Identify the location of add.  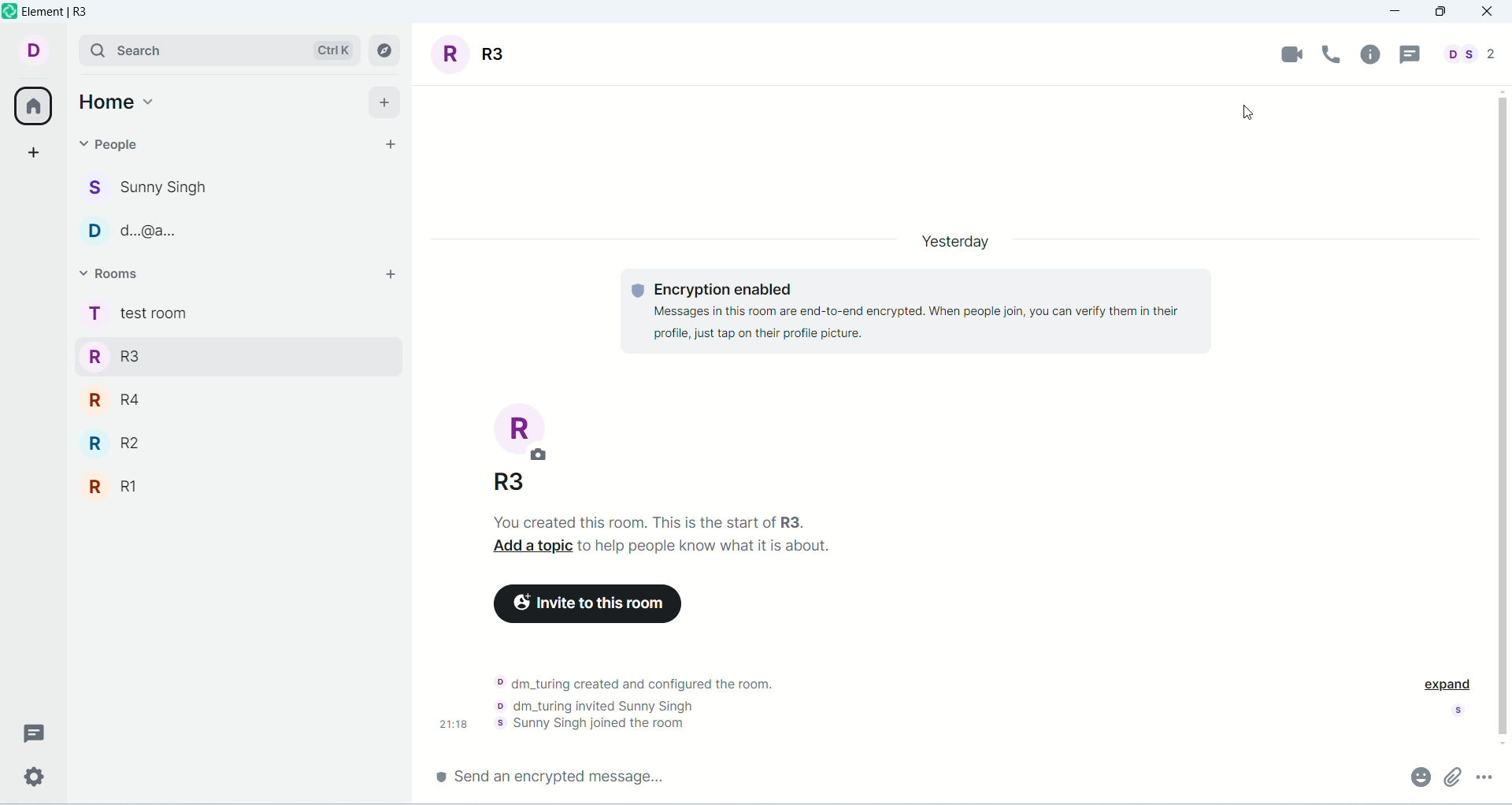
(384, 101).